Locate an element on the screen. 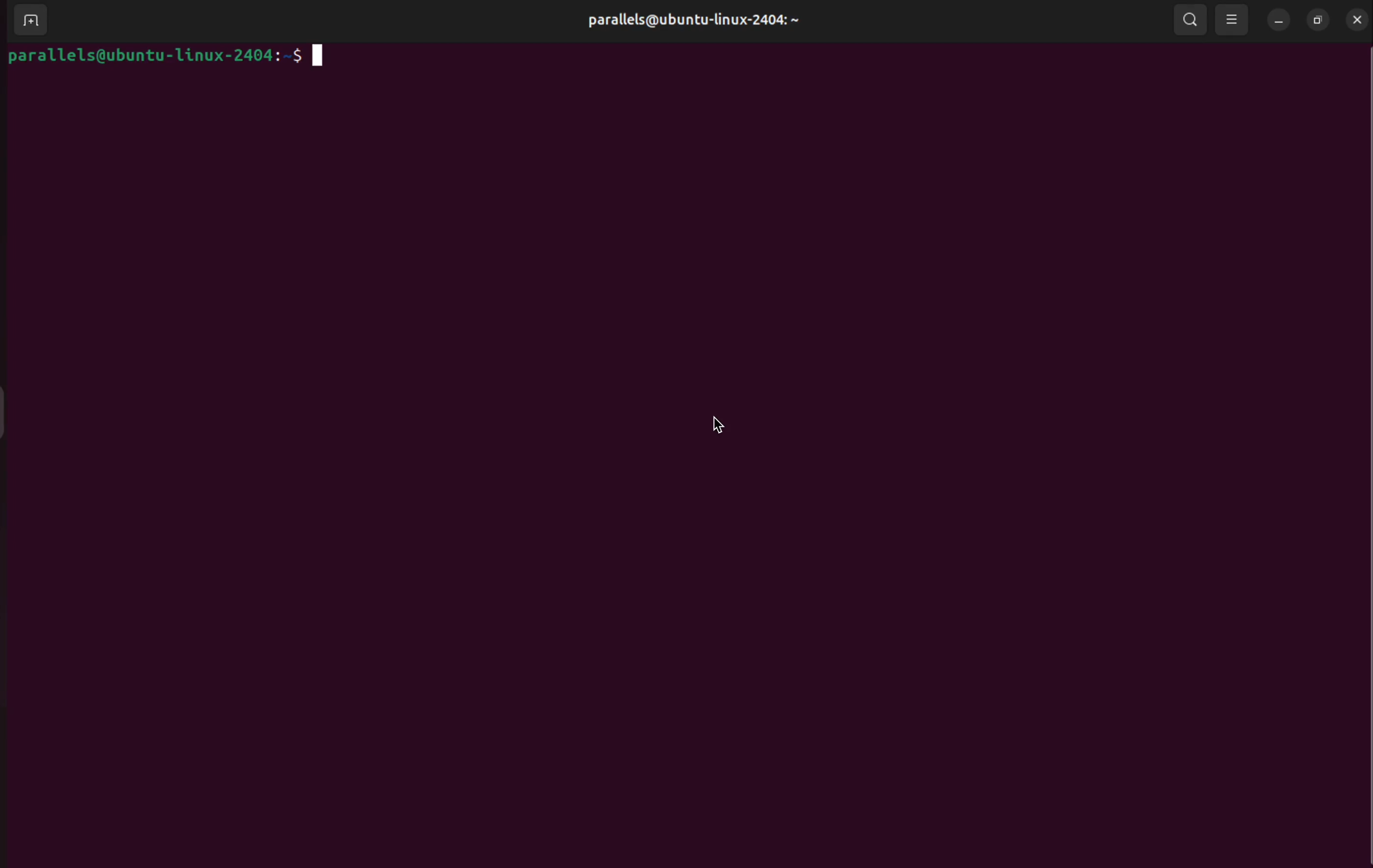 The image size is (1373, 868). minimize is located at coordinates (1279, 20).